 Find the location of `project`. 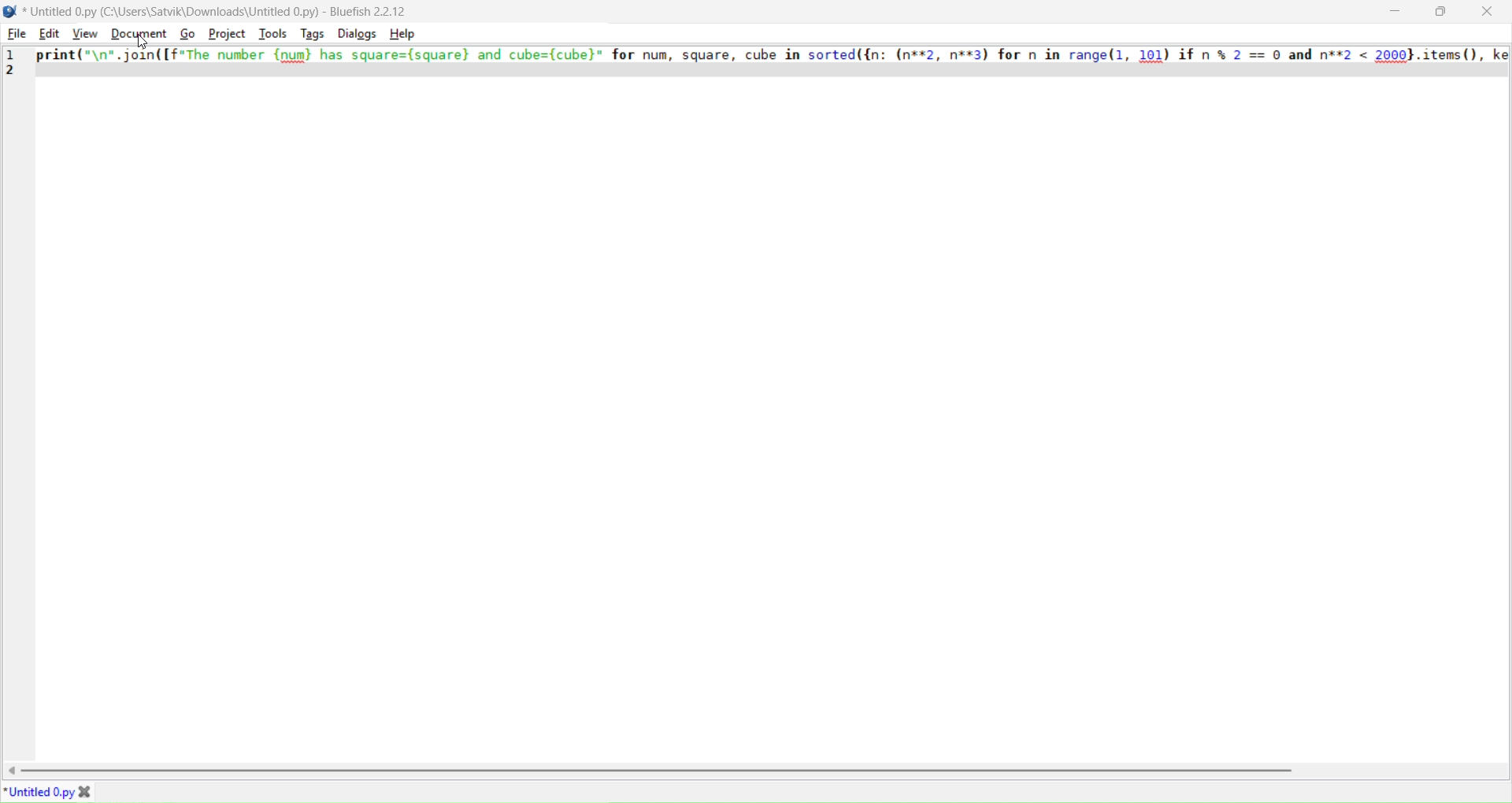

project is located at coordinates (227, 33).